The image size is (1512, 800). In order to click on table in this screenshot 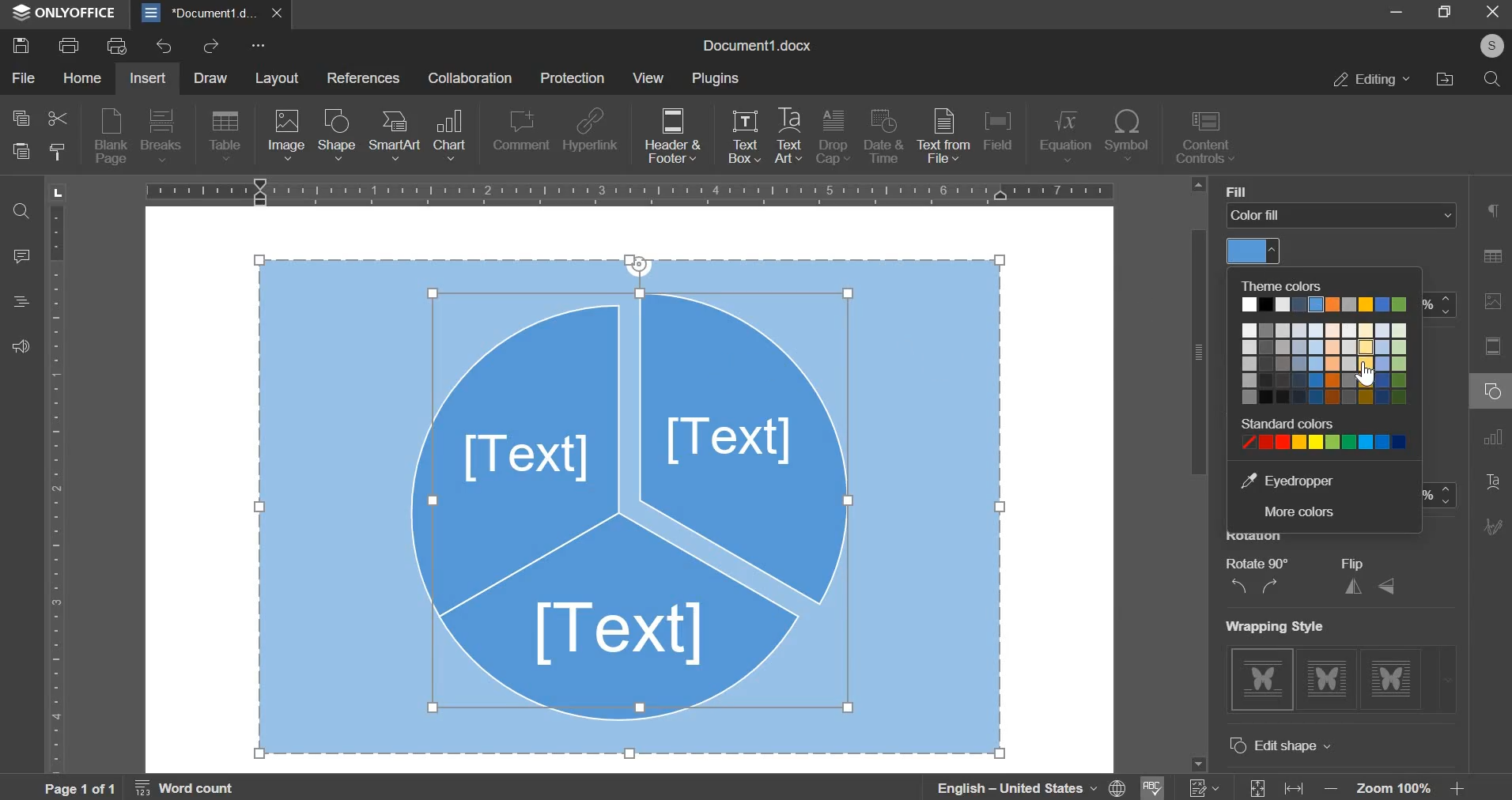, I will do `click(225, 137)`.